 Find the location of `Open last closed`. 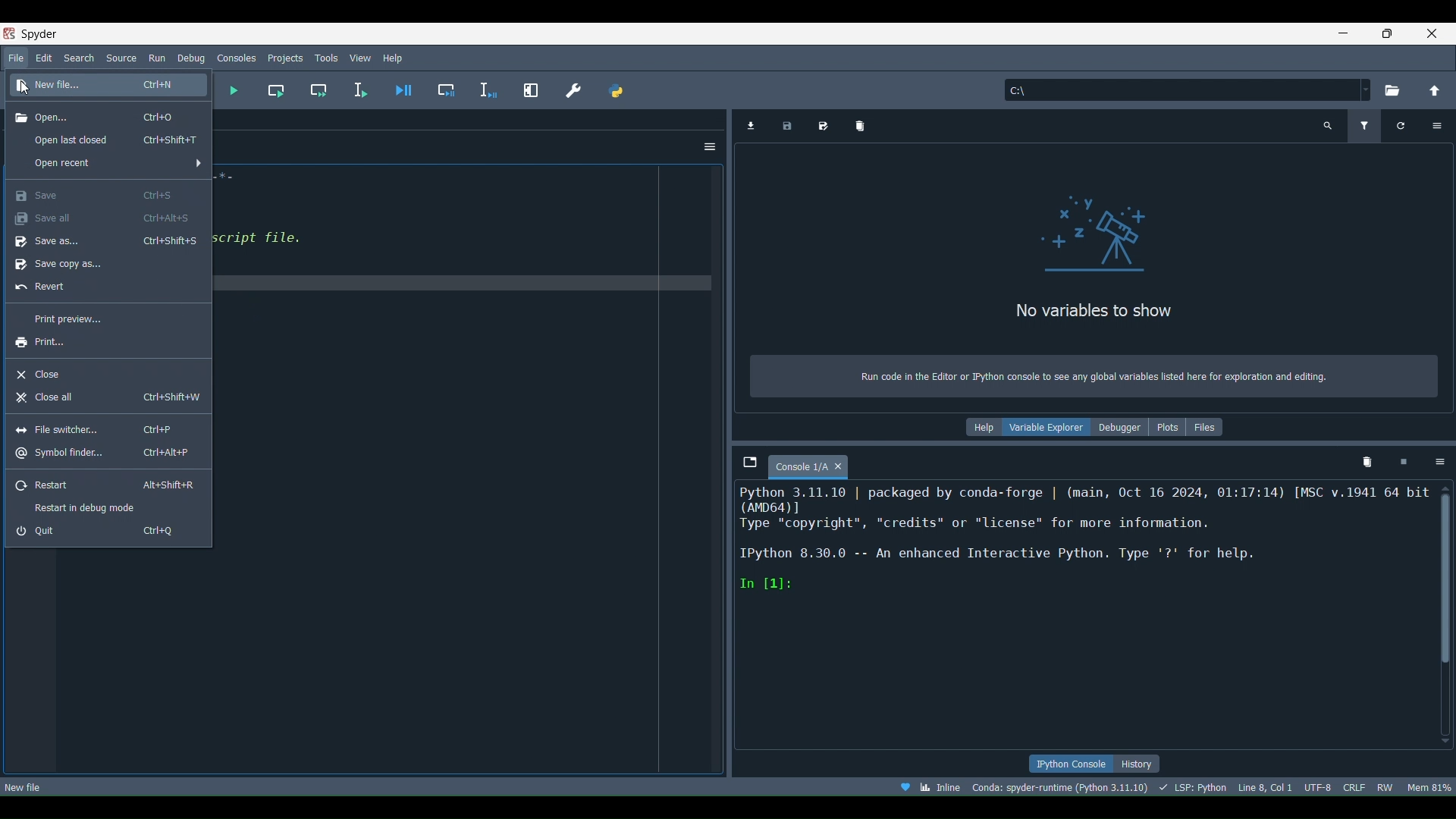

Open last closed is located at coordinates (117, 140).